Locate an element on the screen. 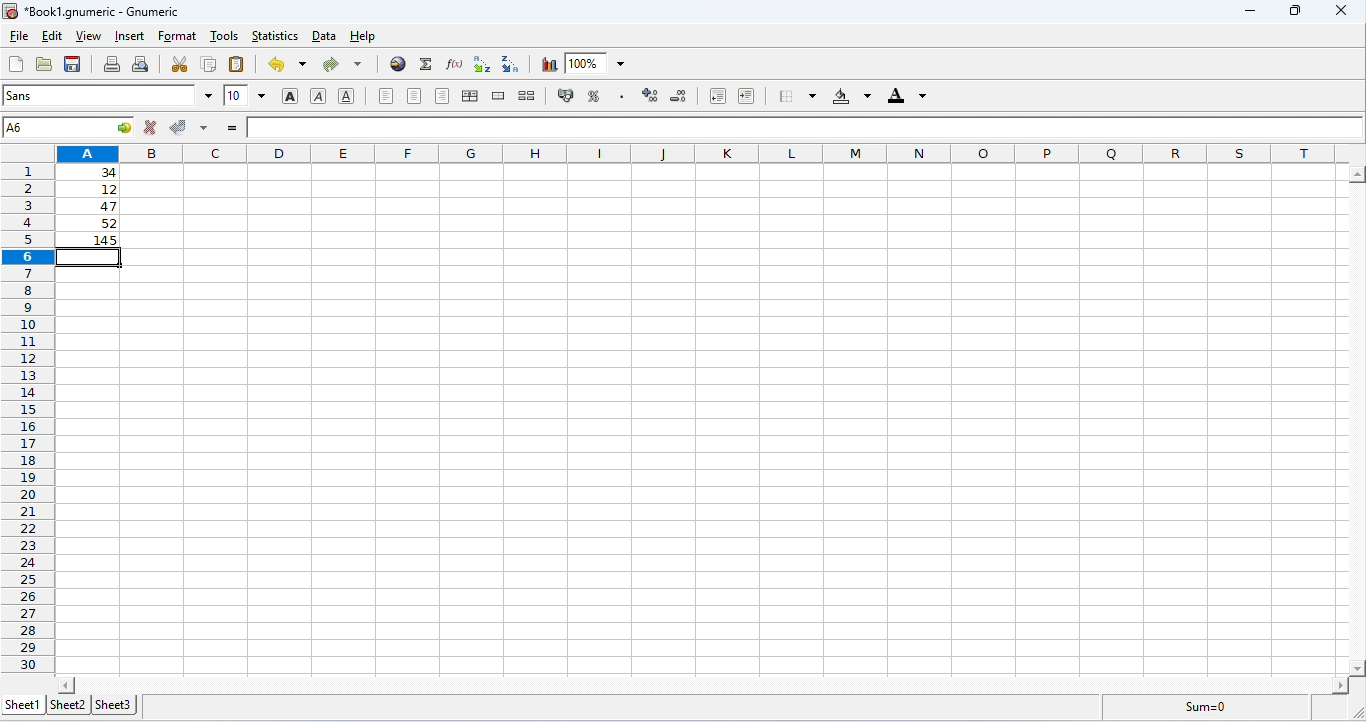  insert chart is located at coordinates (549, 65).